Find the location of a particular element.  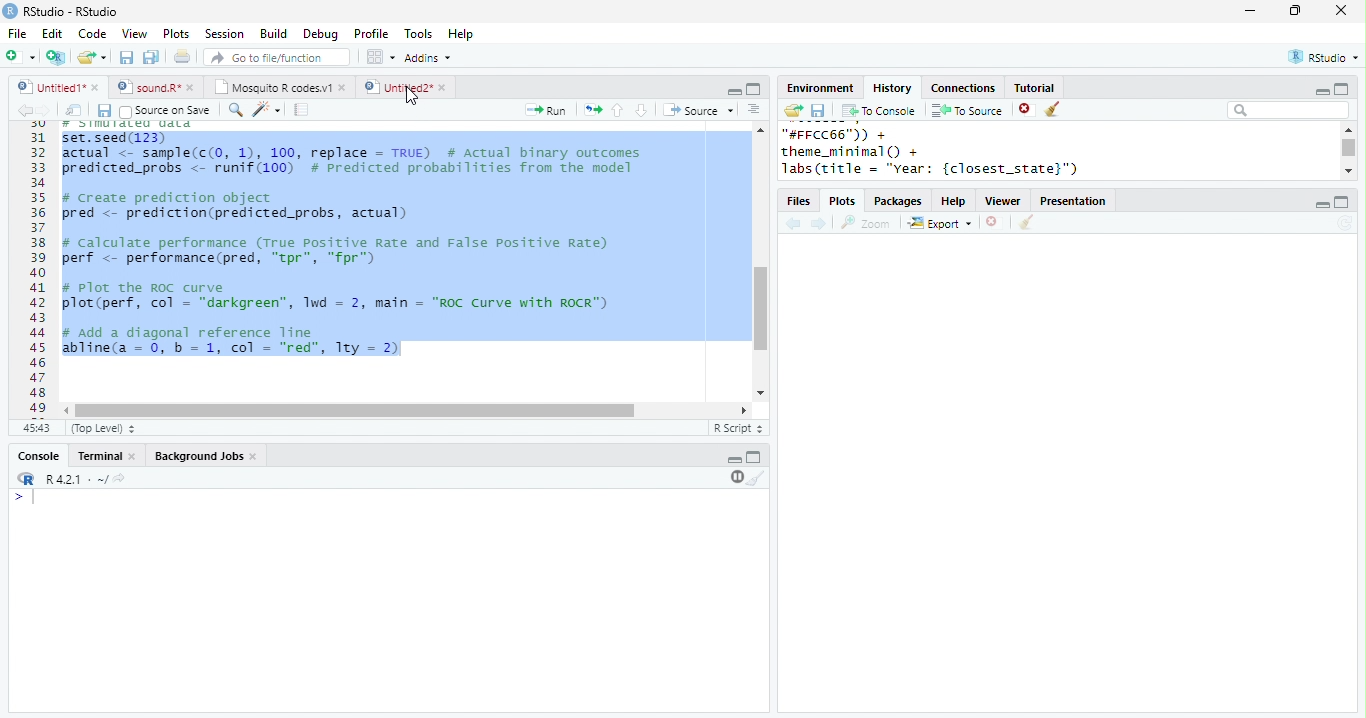

scroll left is located at coordinates (68, 411).